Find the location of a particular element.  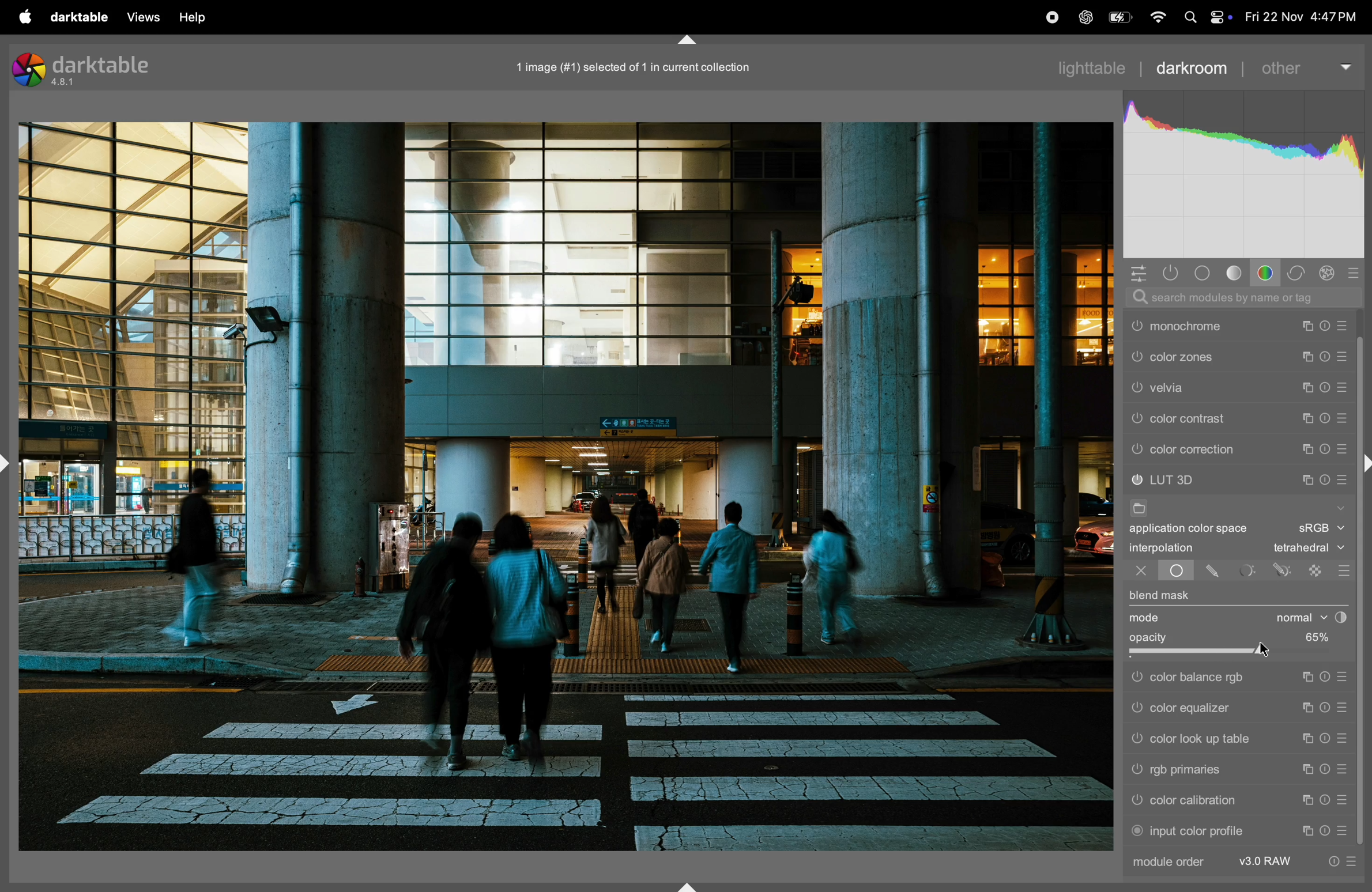

presets is located at coordinates (1344, 384).